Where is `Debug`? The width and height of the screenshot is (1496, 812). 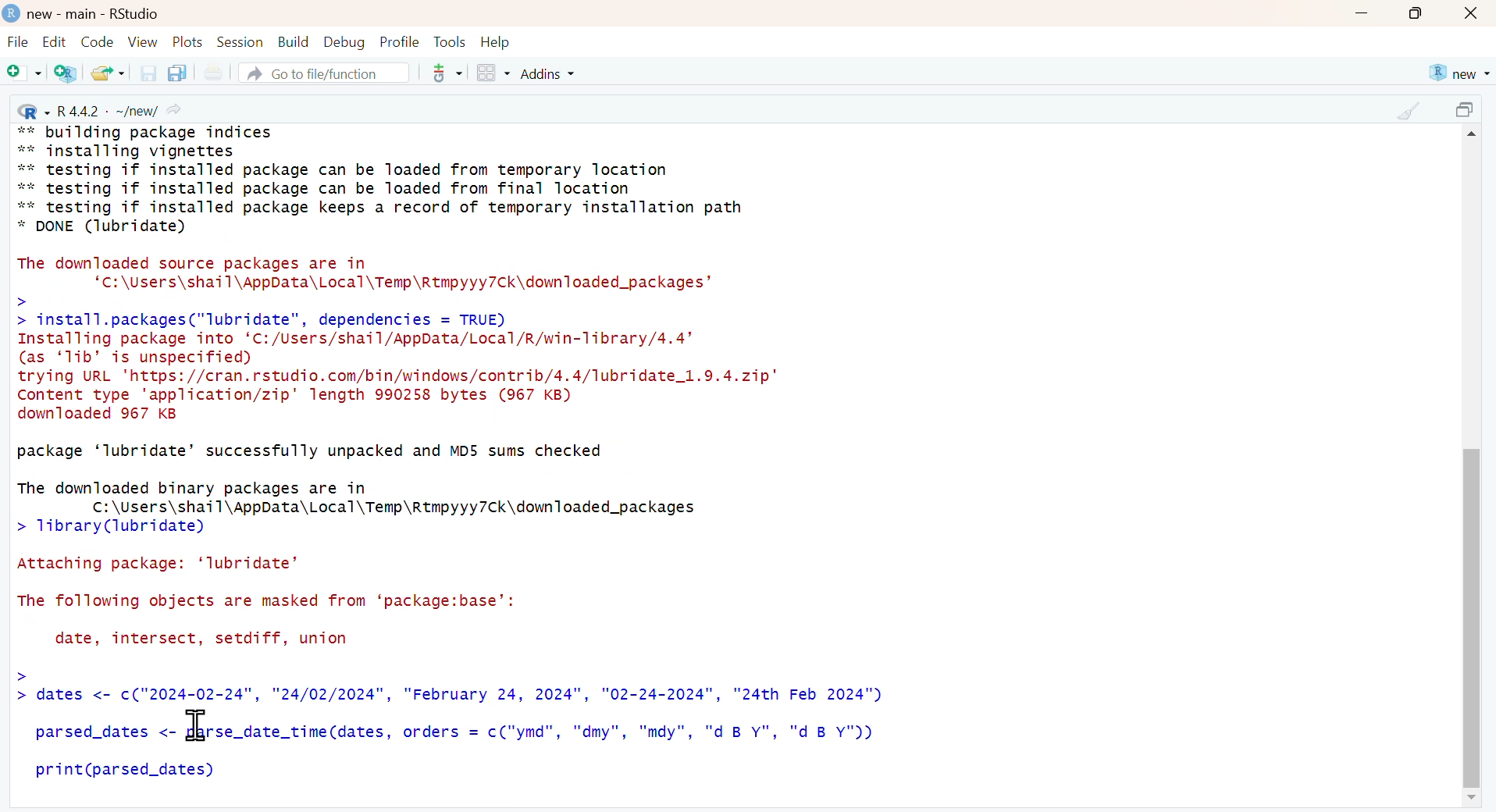
Debug is located at coordinates (343, 41).